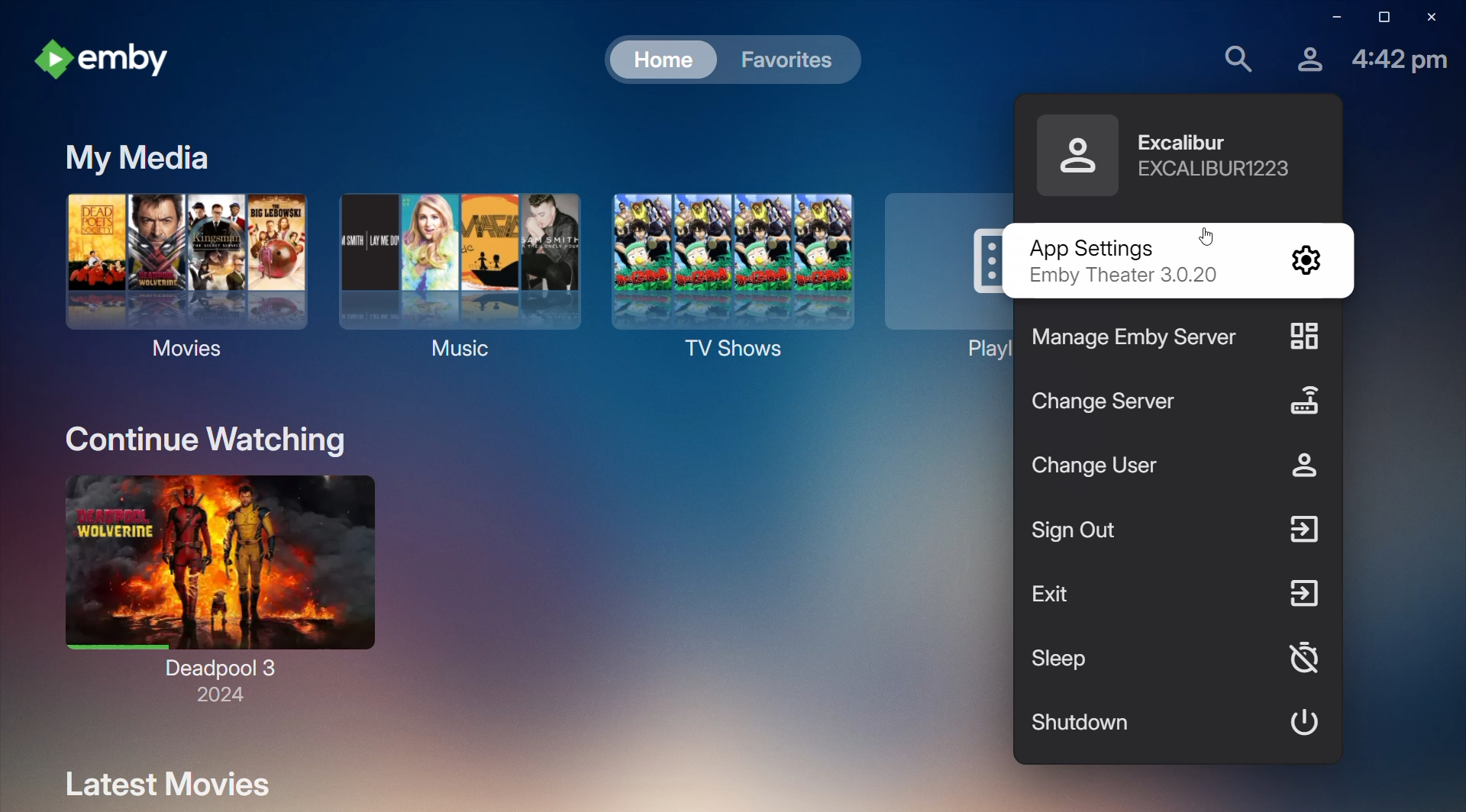 Image resolution: width=1466 pixels, height=812 pixels. What do you see at coordinates (1180, 535) in the screenshot?
I see `Sign Out` at bounding box center [1180, 535].